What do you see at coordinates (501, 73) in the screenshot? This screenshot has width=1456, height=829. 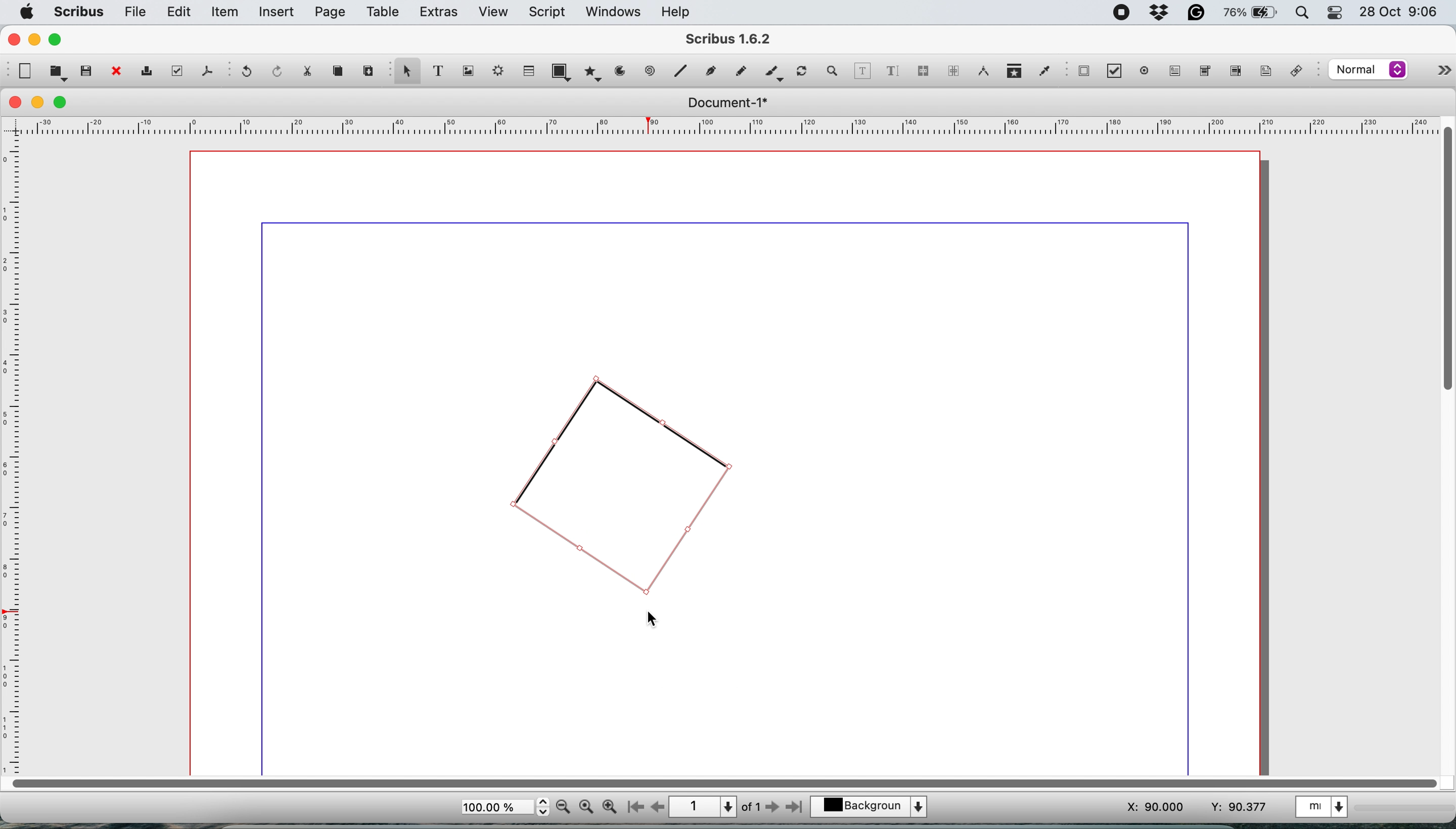 I see `render frame` at bounding box center [501, 73].